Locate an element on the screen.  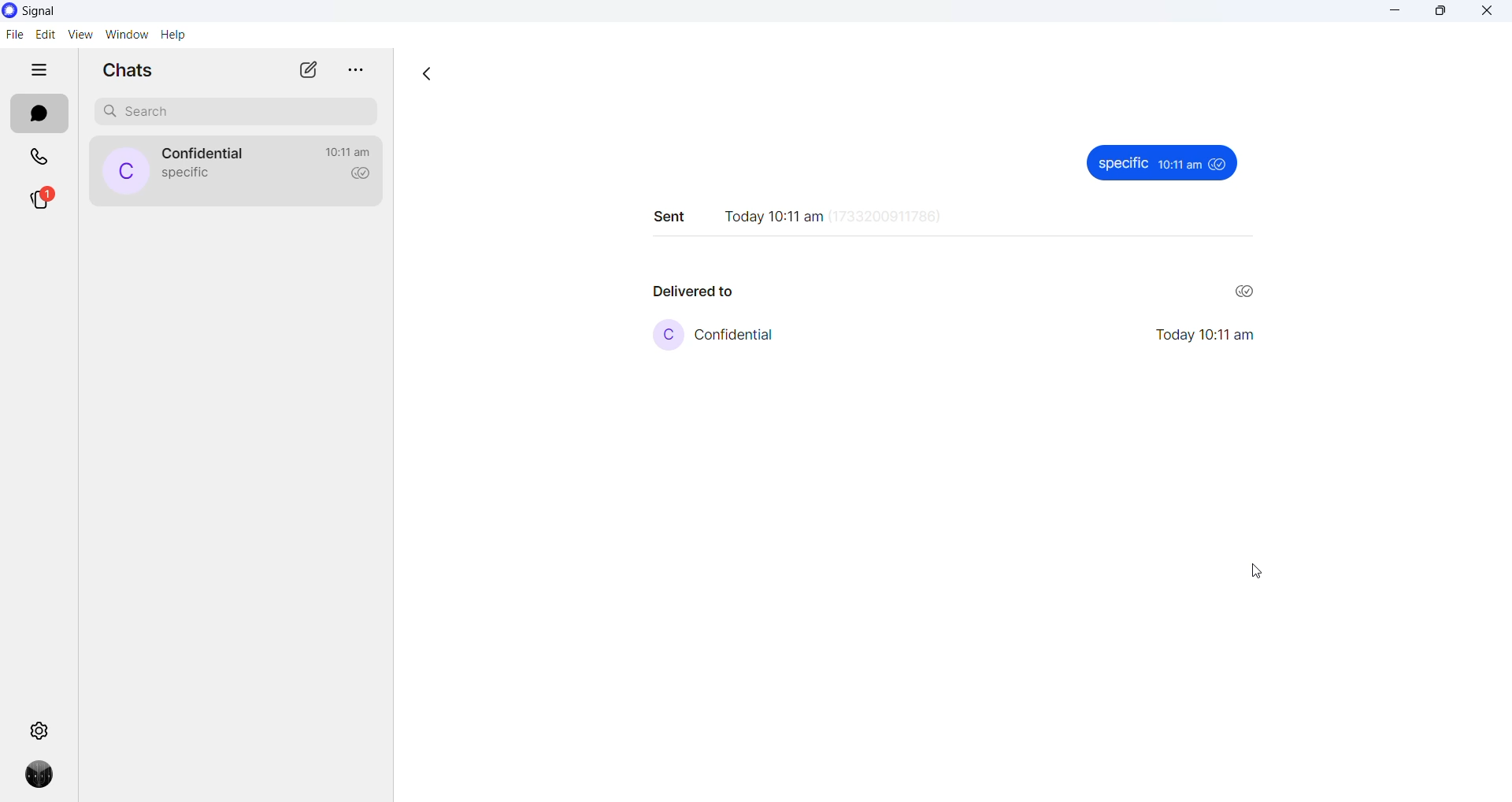
window is located at coordinates (127, 35).